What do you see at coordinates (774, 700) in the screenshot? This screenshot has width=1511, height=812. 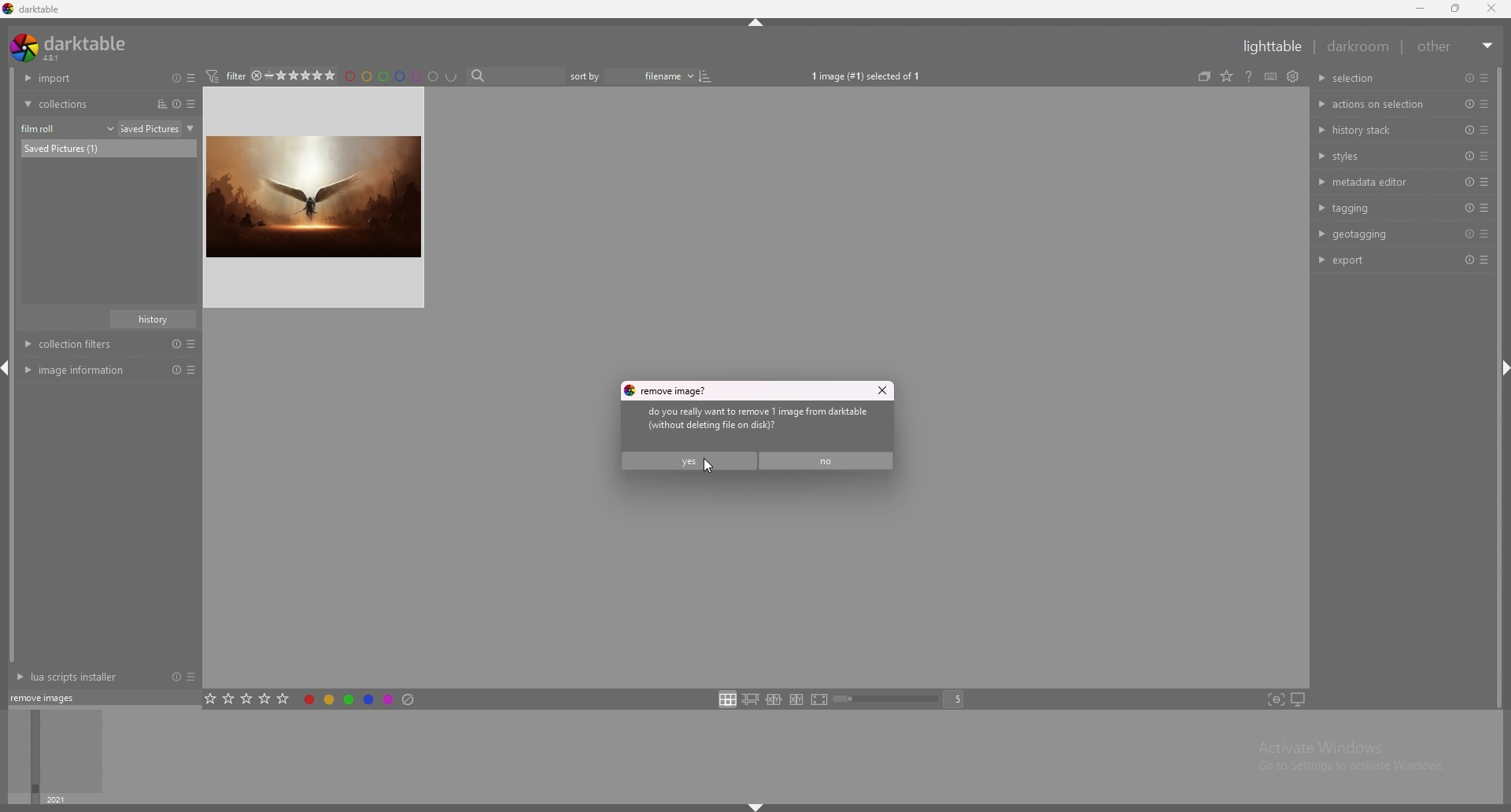 I see `enter culling layout in fixed mode` at bounding box center [774, 700].